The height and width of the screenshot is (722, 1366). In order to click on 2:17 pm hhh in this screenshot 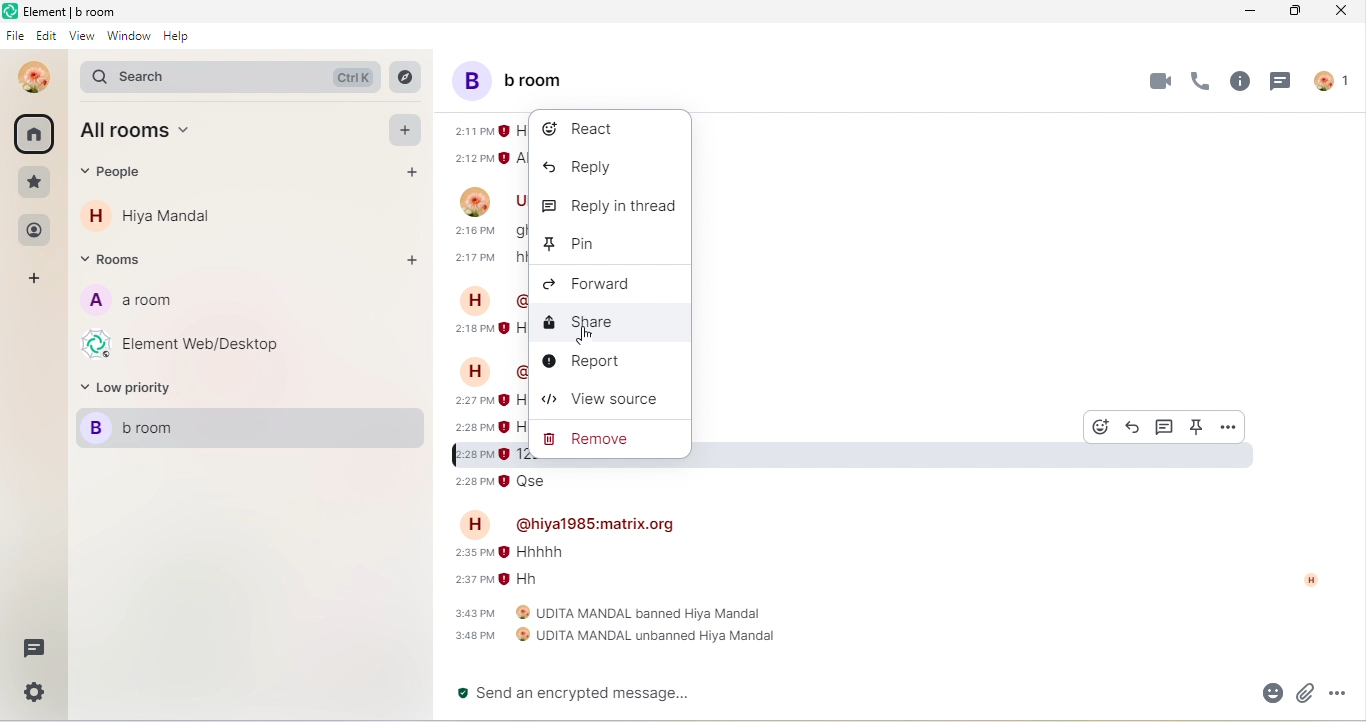, I will do `click(487, 257)`.